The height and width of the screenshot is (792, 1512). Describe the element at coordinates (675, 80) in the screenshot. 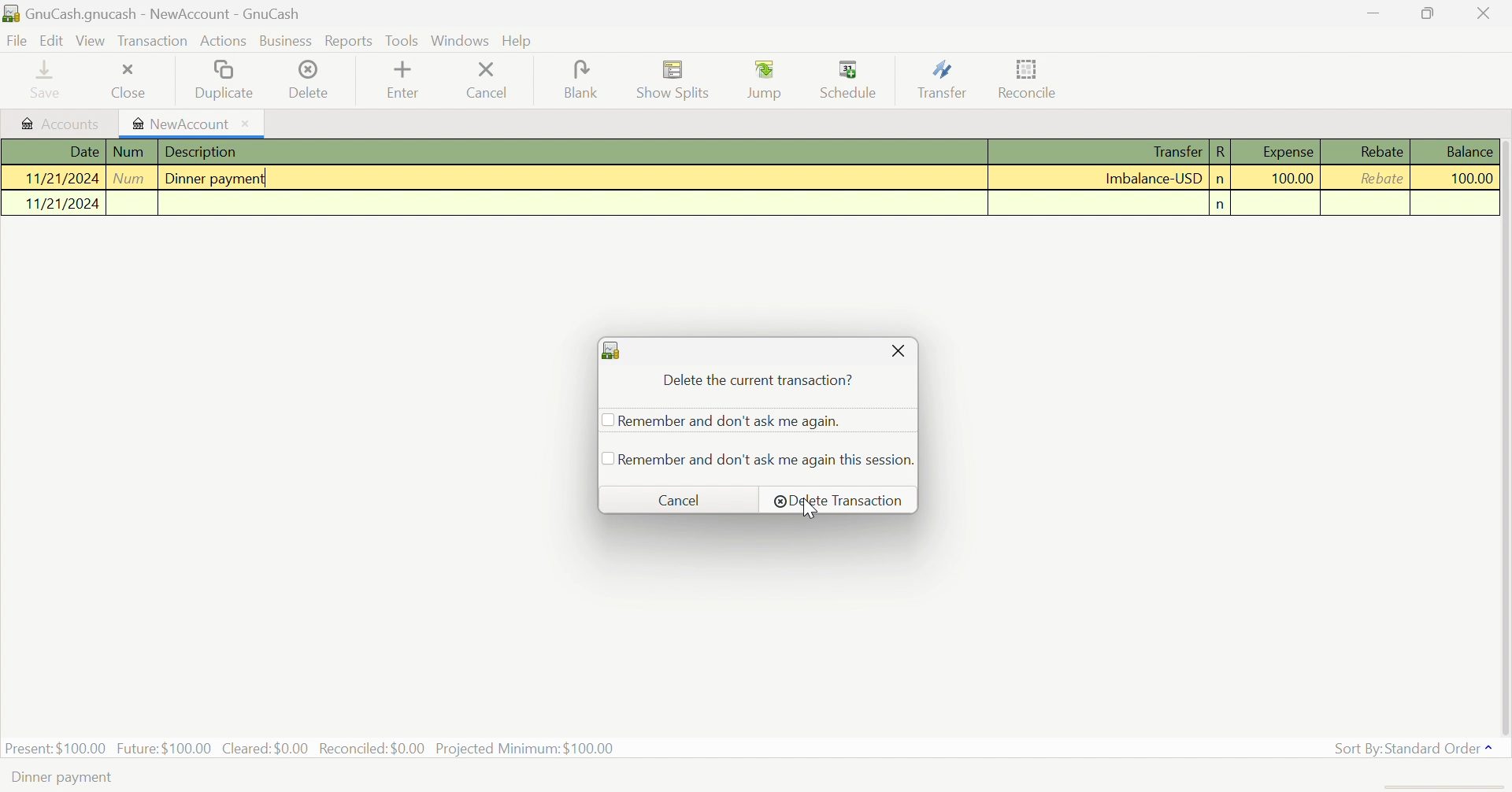

I see `Show Splits` at that location.